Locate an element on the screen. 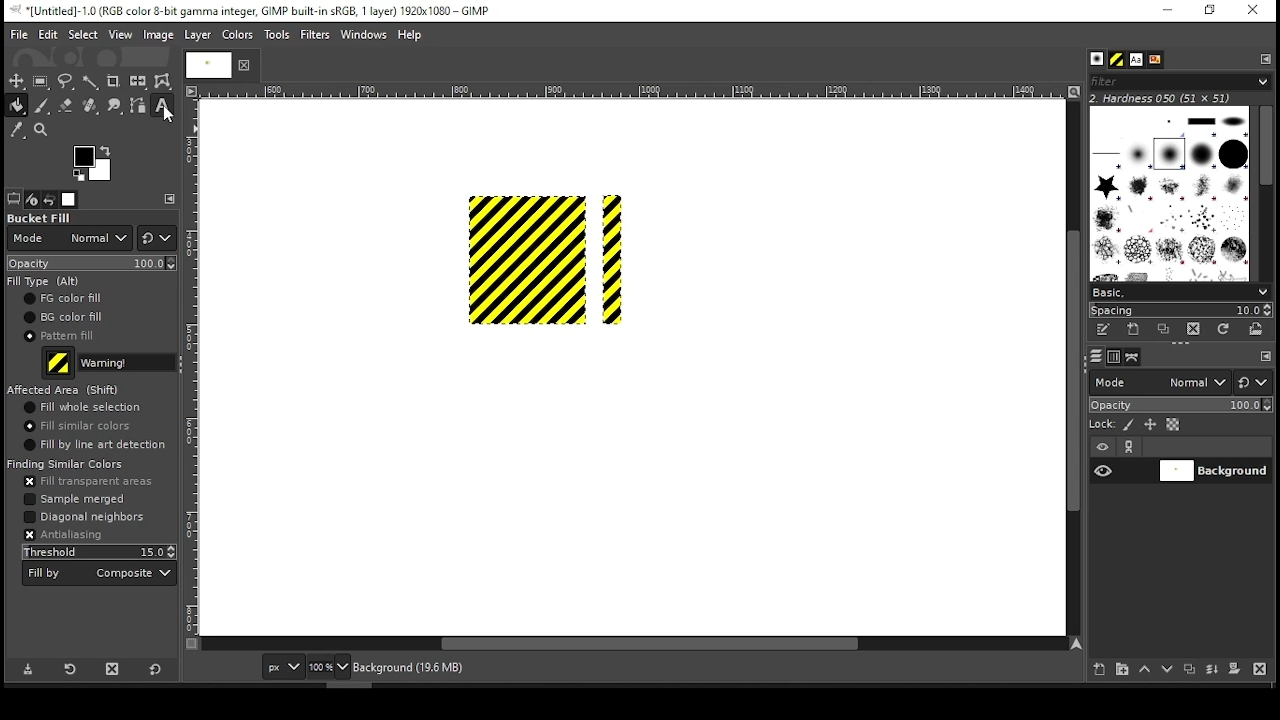 This screenshot has width=1280, height=720. paint bucket tool is located at coordinates (18, 105).